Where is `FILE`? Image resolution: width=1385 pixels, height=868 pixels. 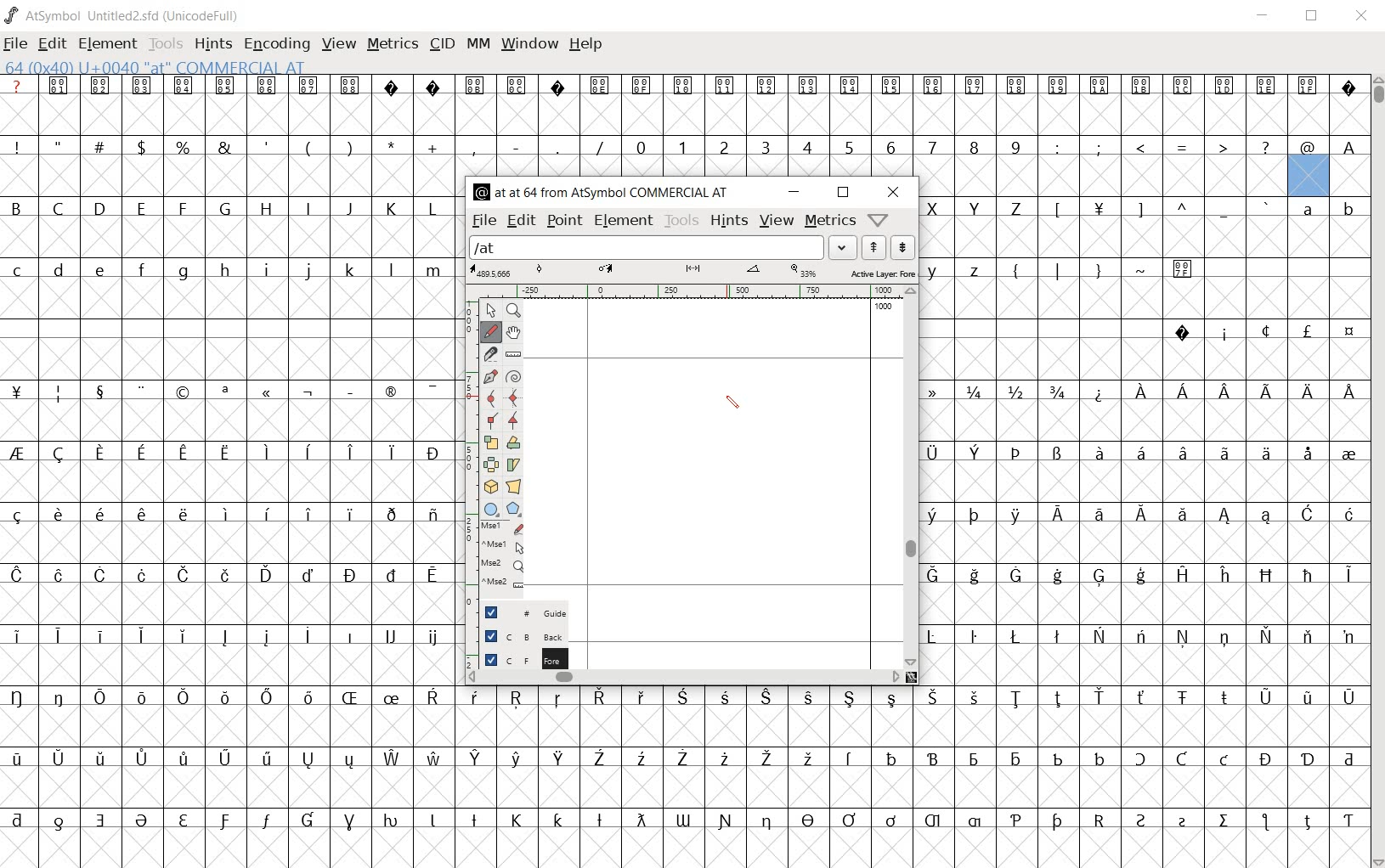 FILE is located at coordinates (15, 45).